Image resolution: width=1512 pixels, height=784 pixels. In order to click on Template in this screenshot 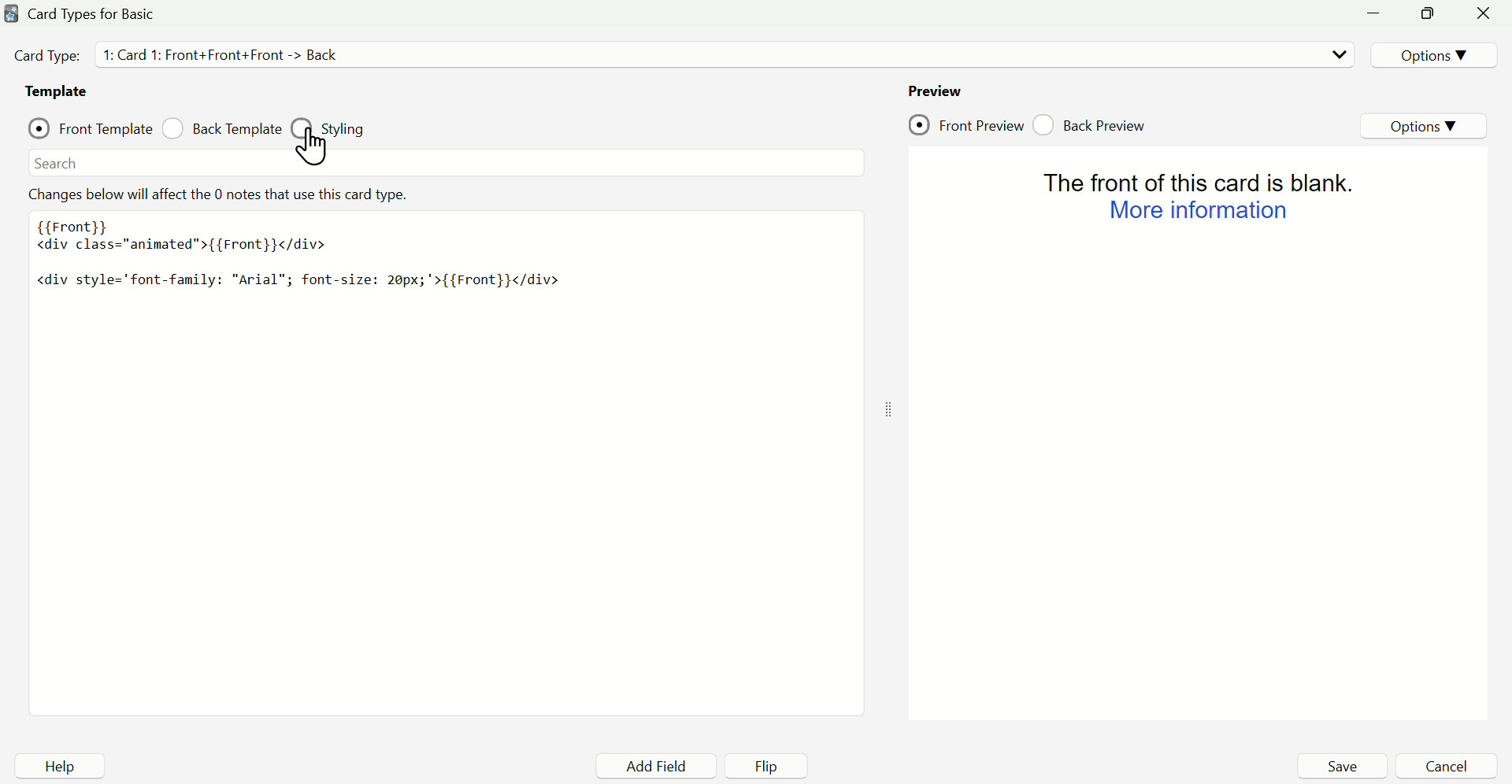, I will do `click(57, 94)`.